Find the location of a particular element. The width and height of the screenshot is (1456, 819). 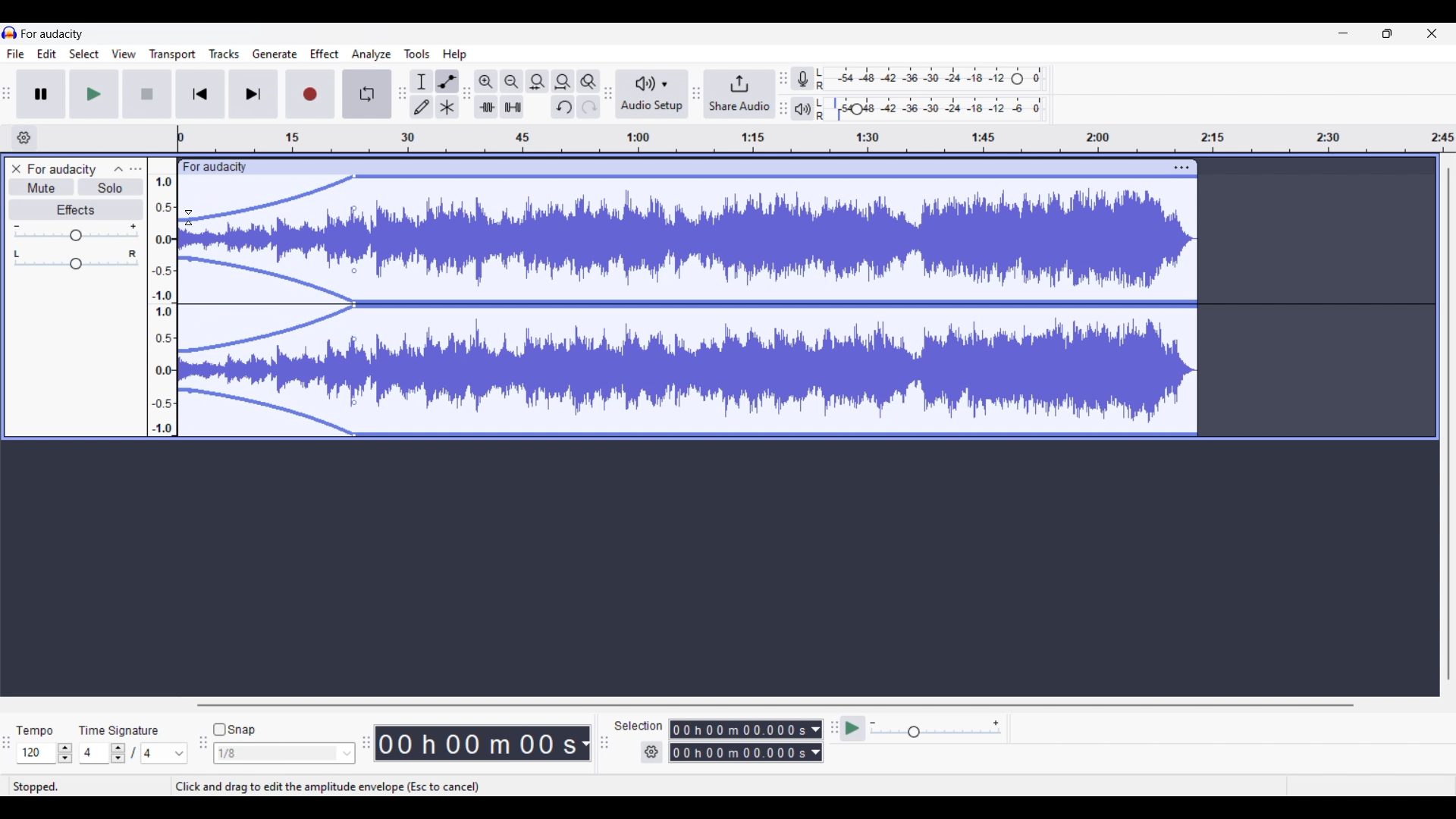

play at speed is located at coordinates (853, 728).